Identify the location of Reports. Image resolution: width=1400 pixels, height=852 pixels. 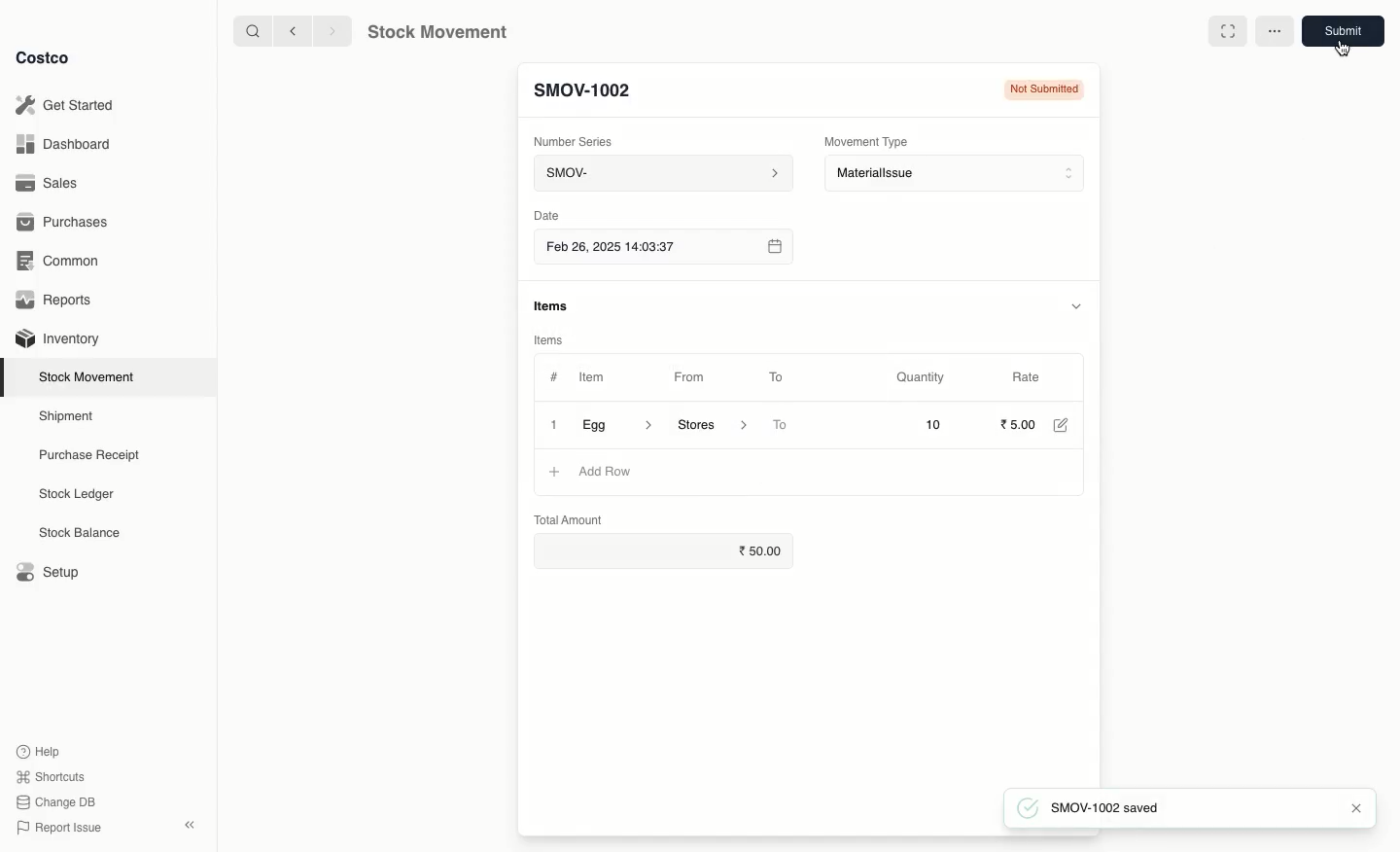
(58, 300).